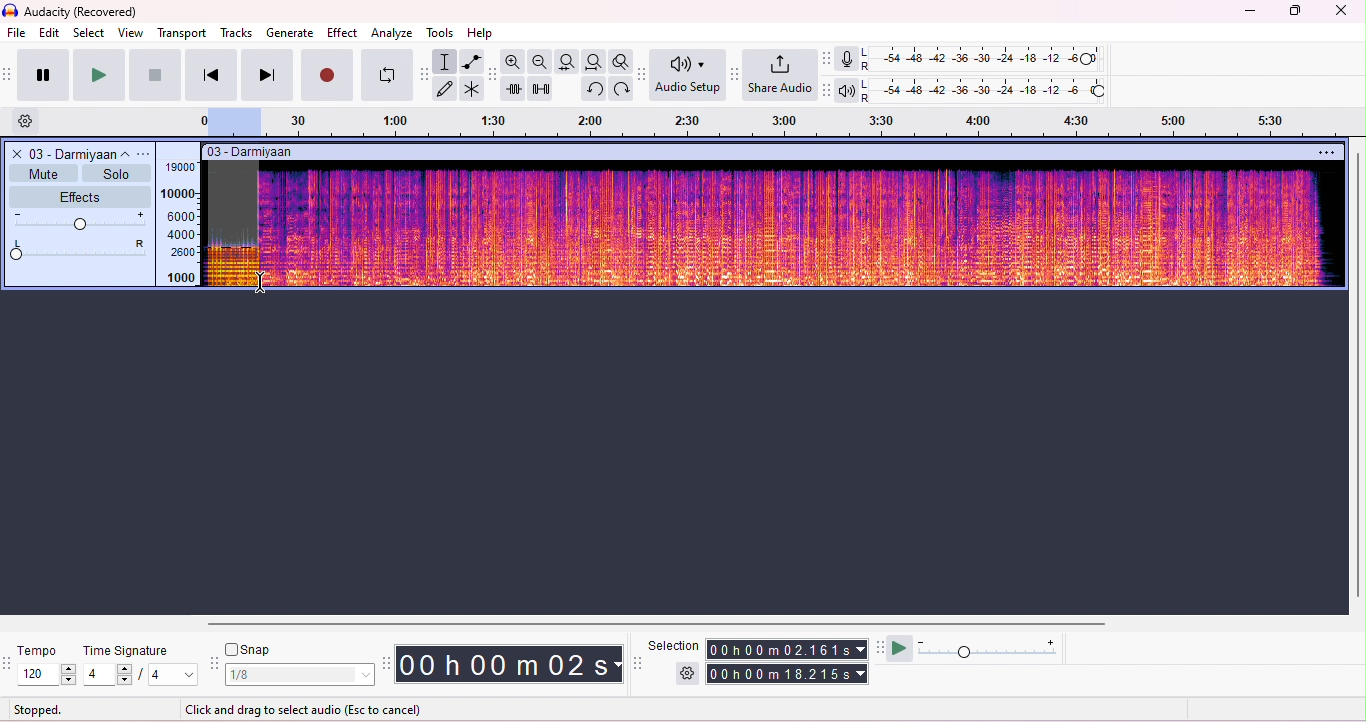 This screenshot has width=1366, height=722. What do you see at coordinates (830, 90) in the screenshot?
I see `playback meter toolbar` at bounding box center [830, 90].